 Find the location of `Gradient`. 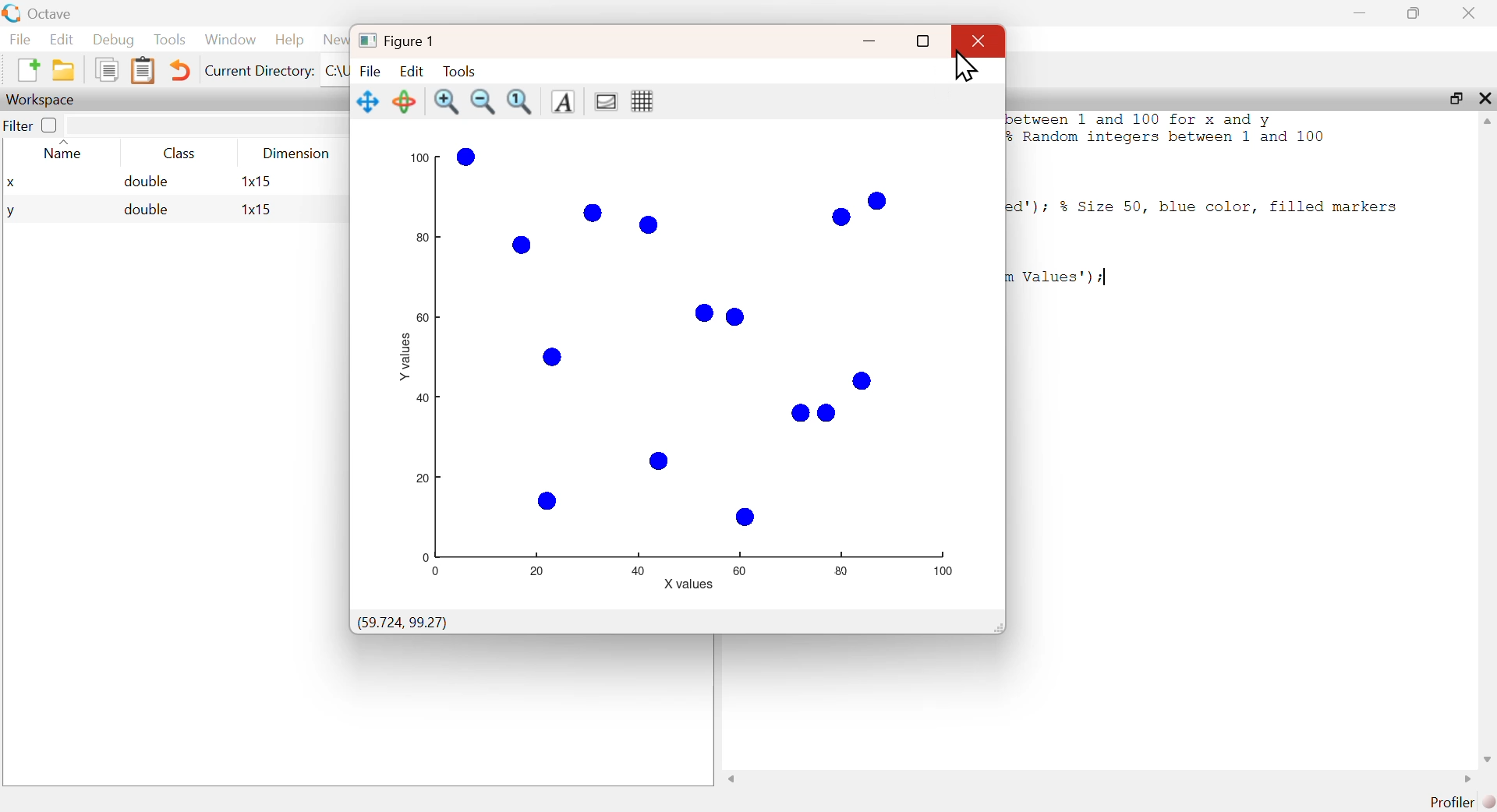

Gradient is located at coordinates (607, 102).